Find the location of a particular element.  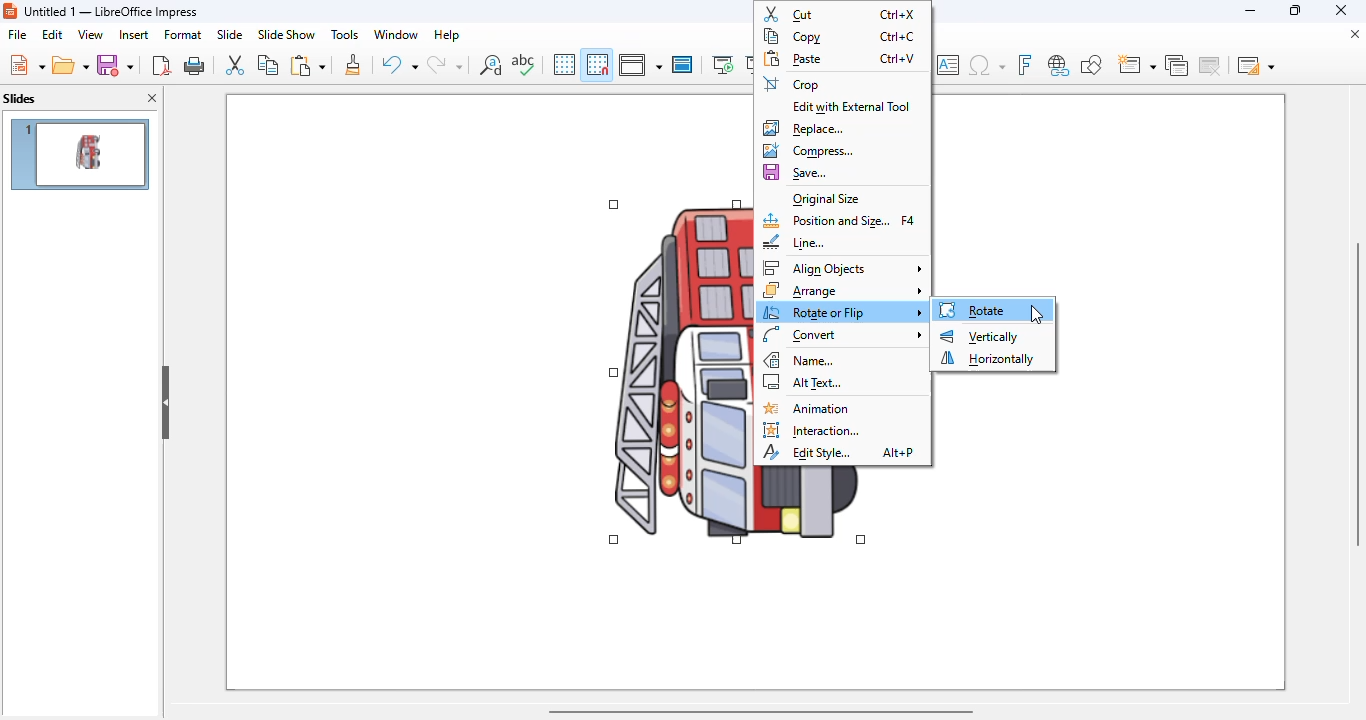

replace is located at coordinates (803, 128).